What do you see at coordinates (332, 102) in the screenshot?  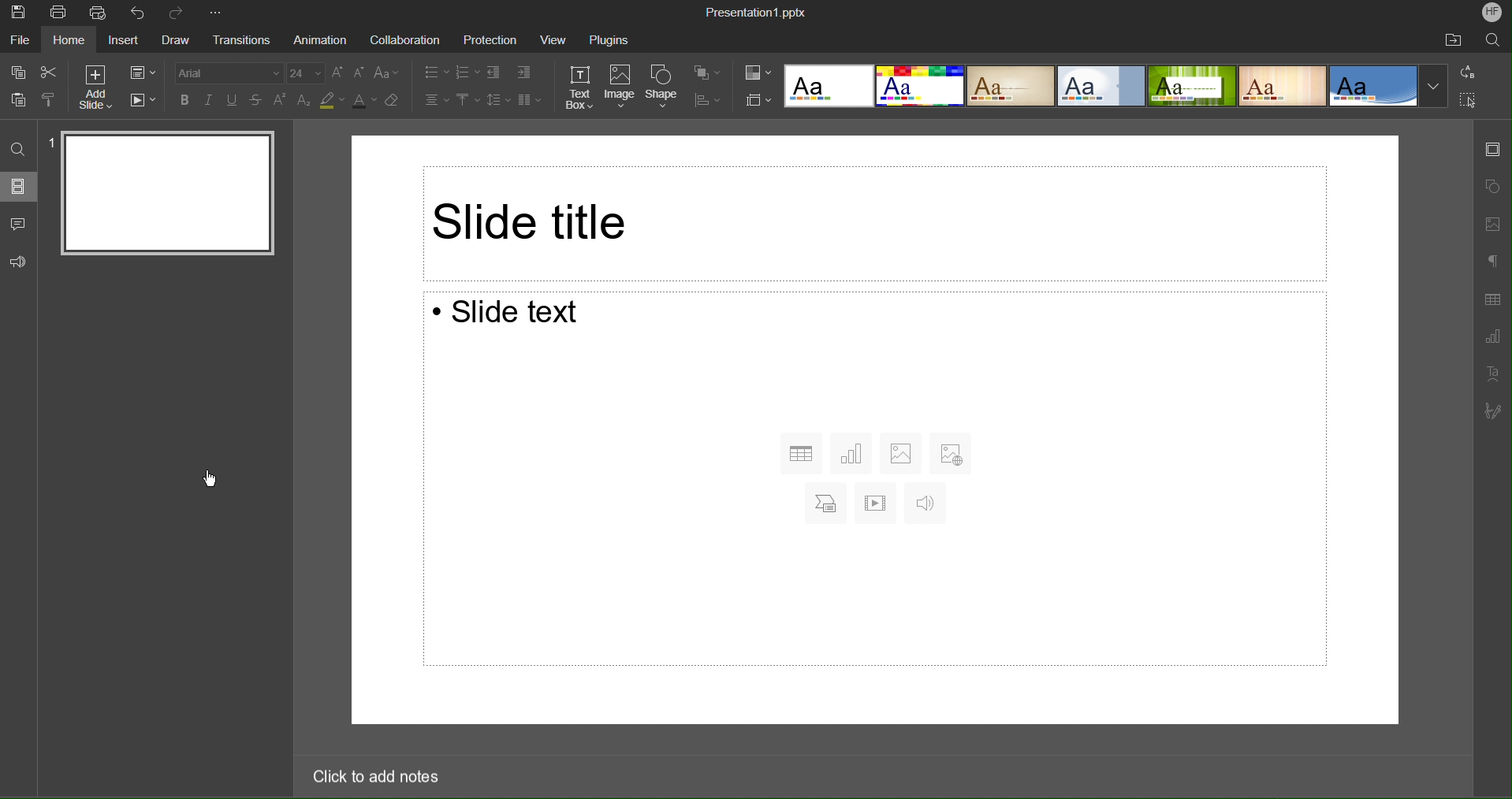 I see `highlight color` at bounding box center [332, 102].